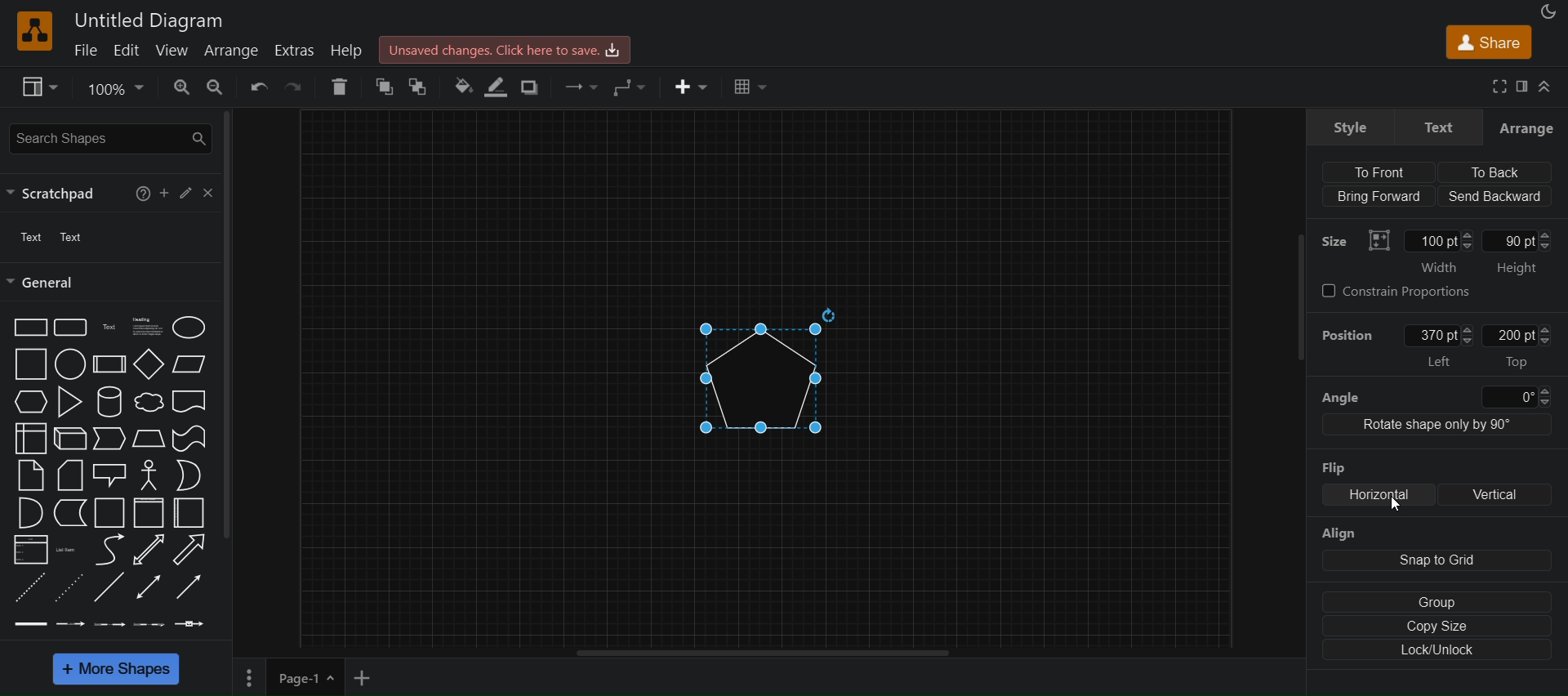 This screenshot has width=1568, height=696. What do you see at coordinates (339, 86) in the screenshot?
I see `delete` at bounding box center [339, 86].